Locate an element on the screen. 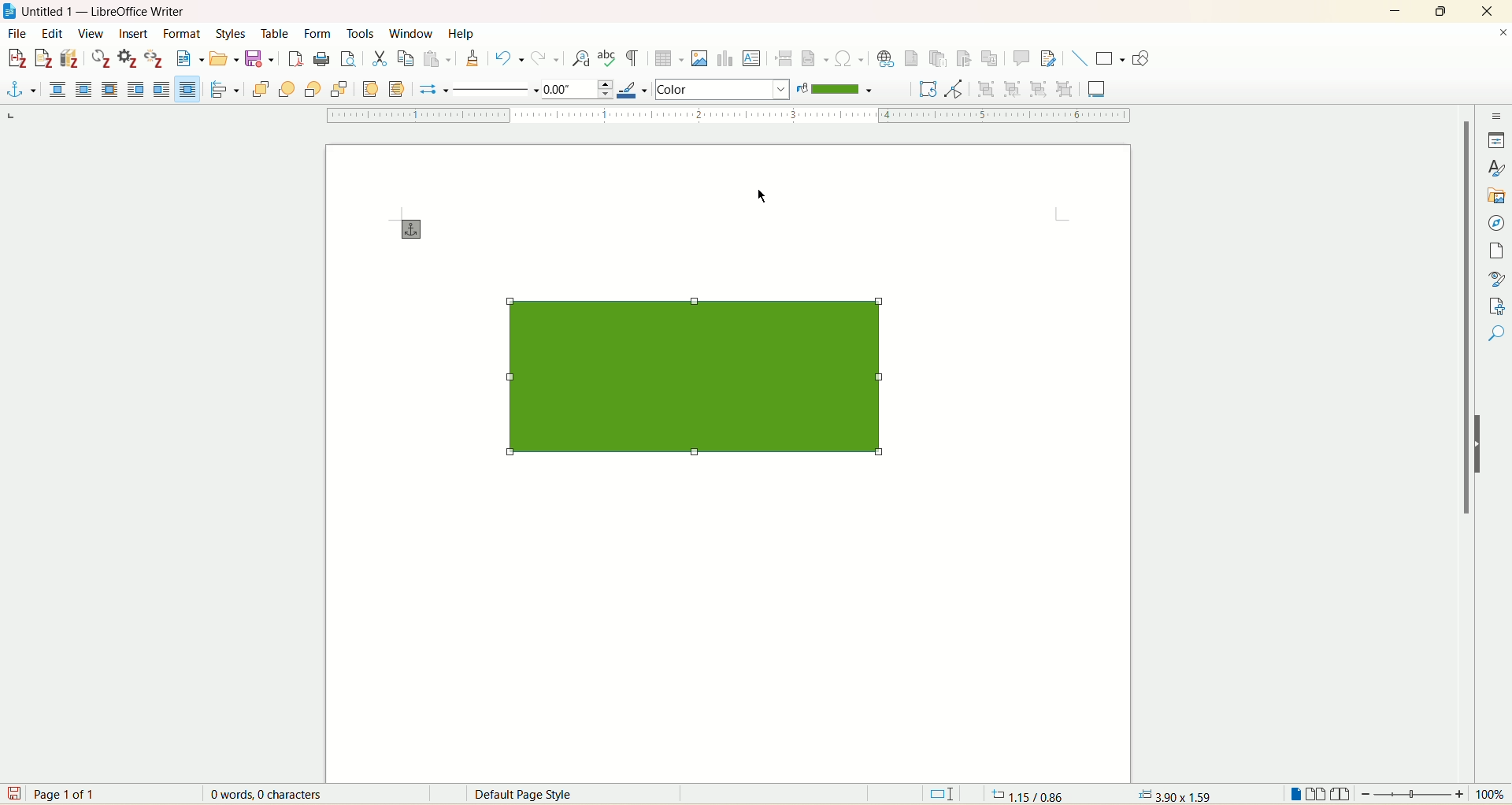 This screenshot has height=805, width=1512. words and character is located at coordinates (263, 795).